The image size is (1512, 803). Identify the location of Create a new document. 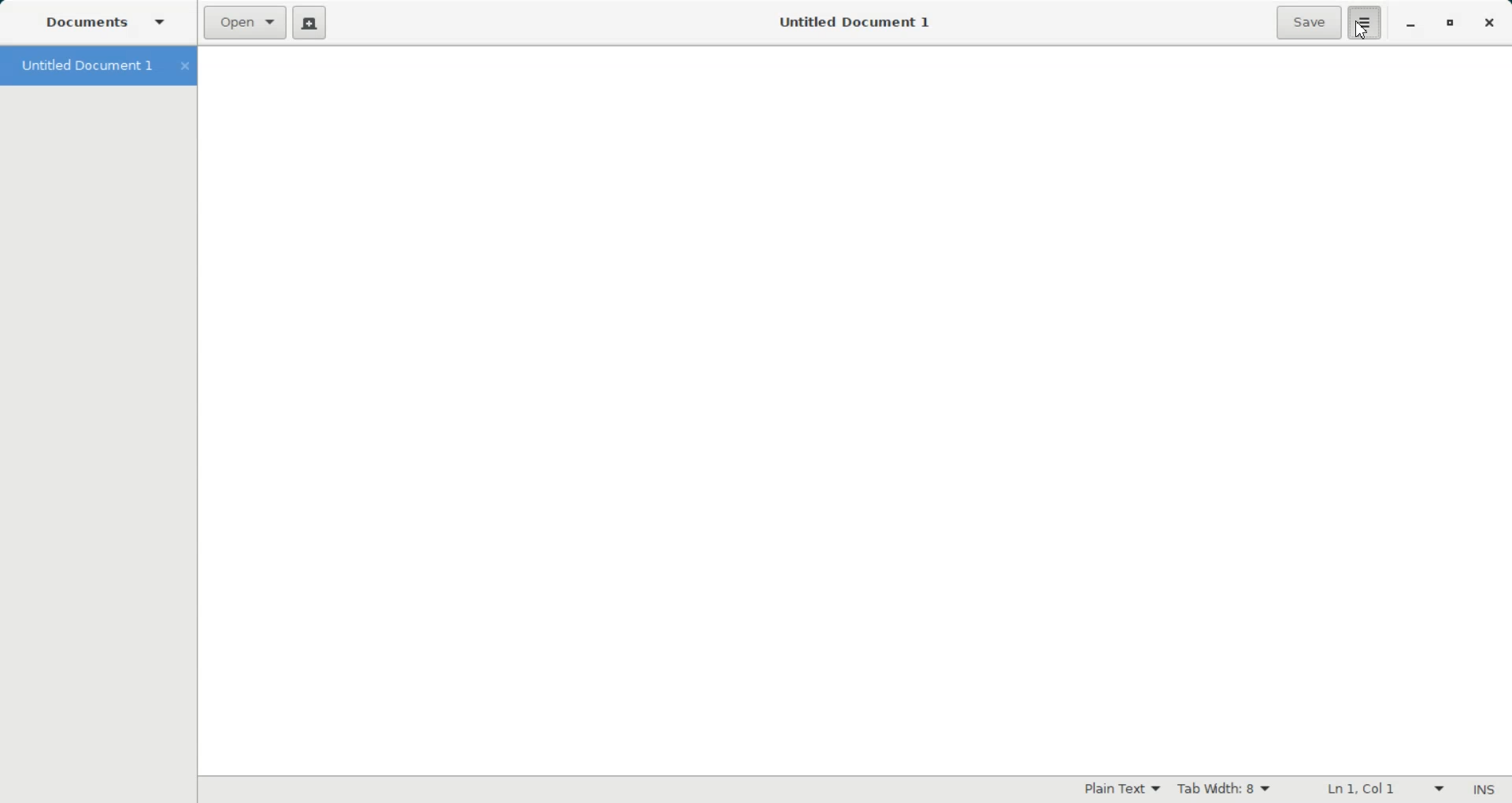
(310, 21).